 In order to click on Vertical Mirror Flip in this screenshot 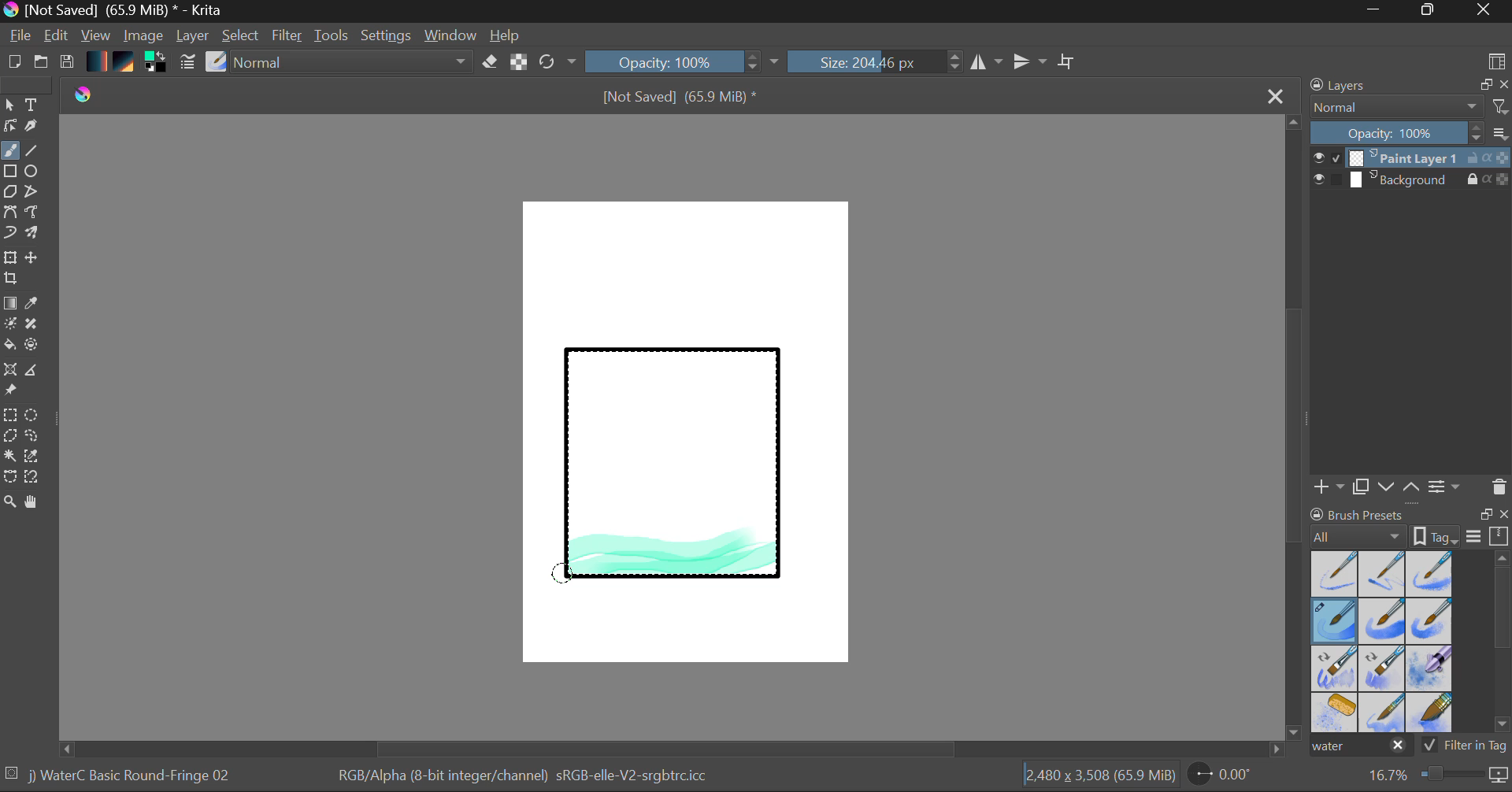, I will do `click(986, 62)`.